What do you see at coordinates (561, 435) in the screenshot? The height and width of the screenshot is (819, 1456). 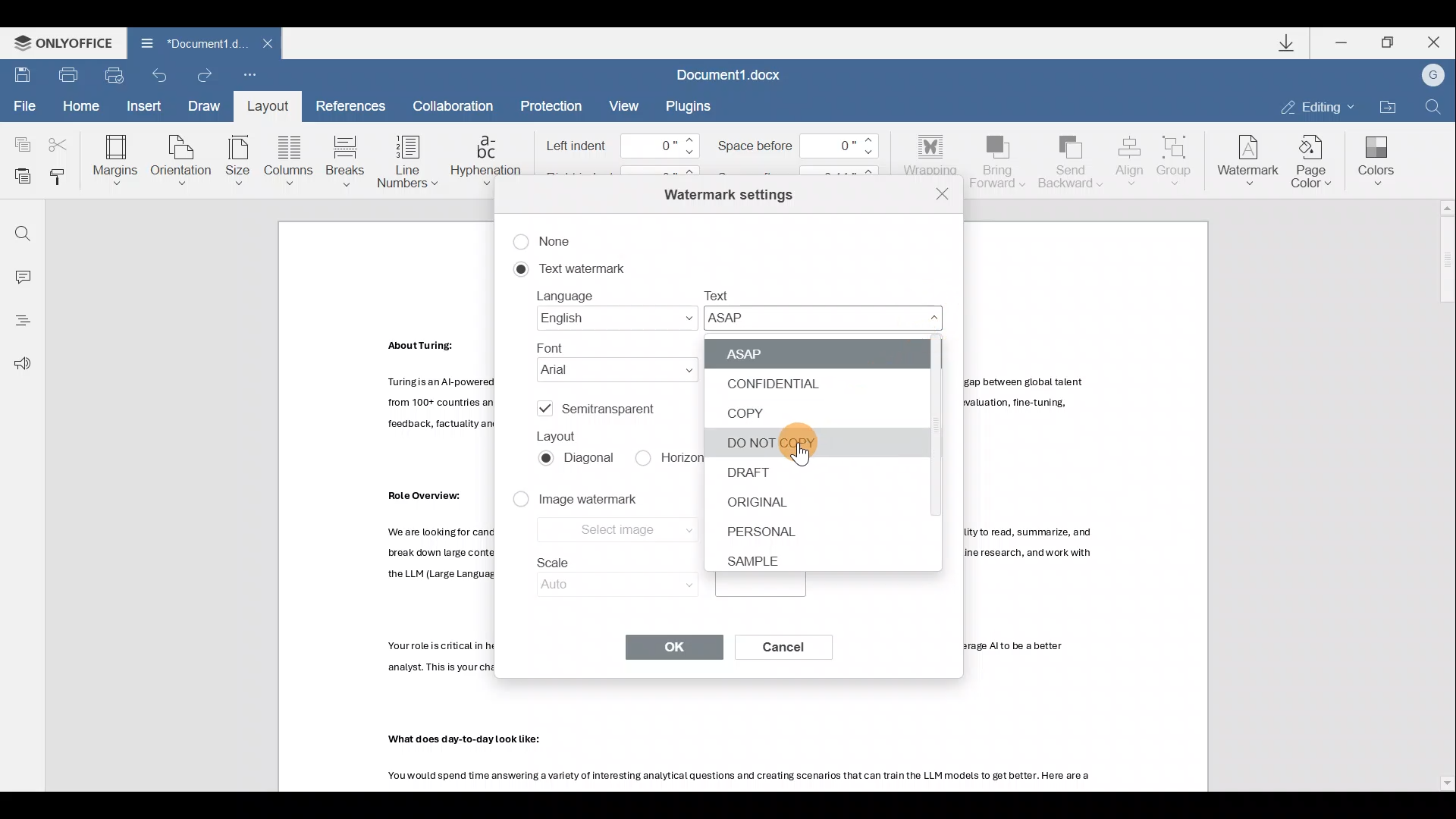 I see `Layout` at bounding box center [561, 435].